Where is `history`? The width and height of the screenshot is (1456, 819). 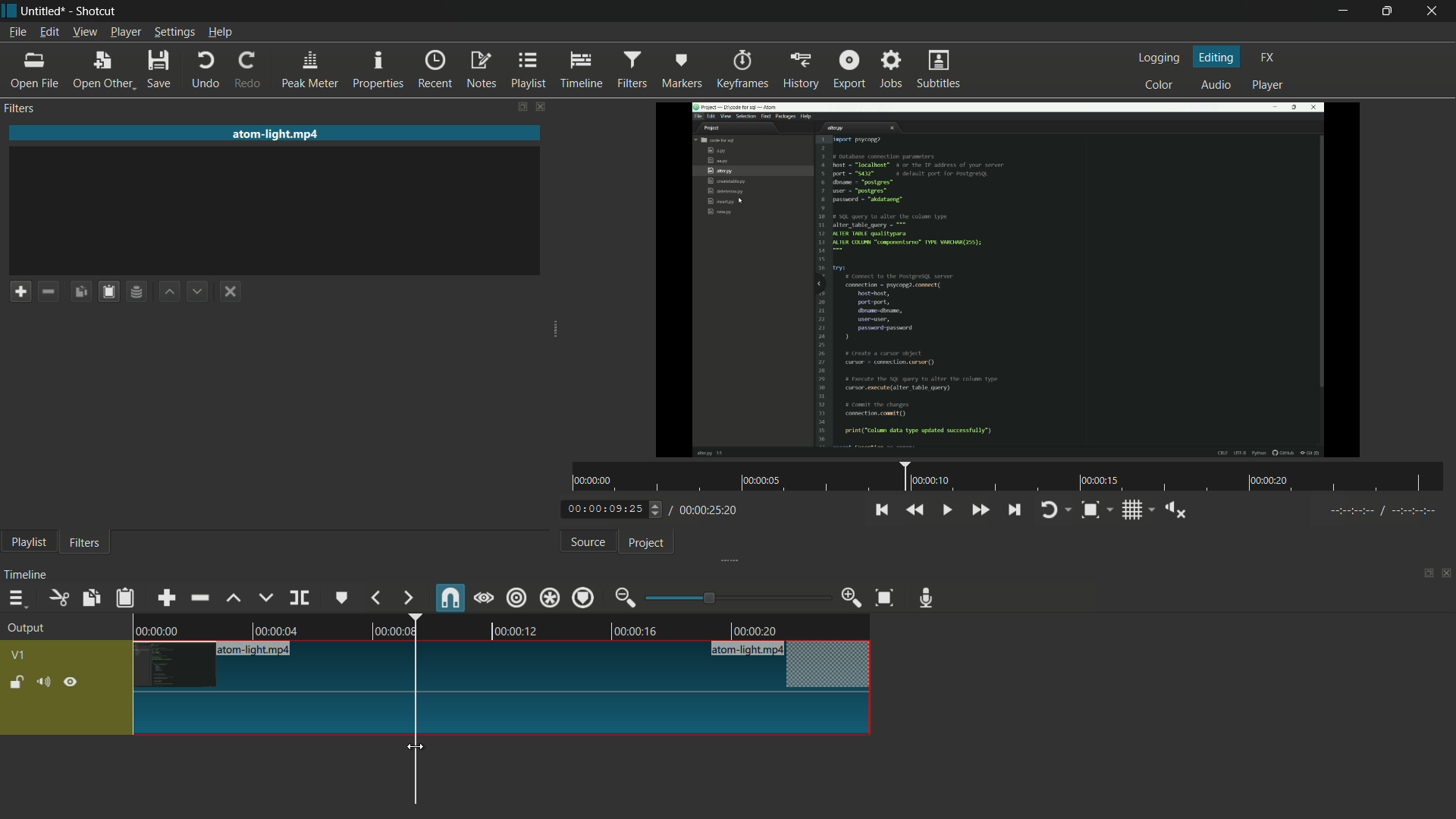
history is located at coordinates (799, 71).